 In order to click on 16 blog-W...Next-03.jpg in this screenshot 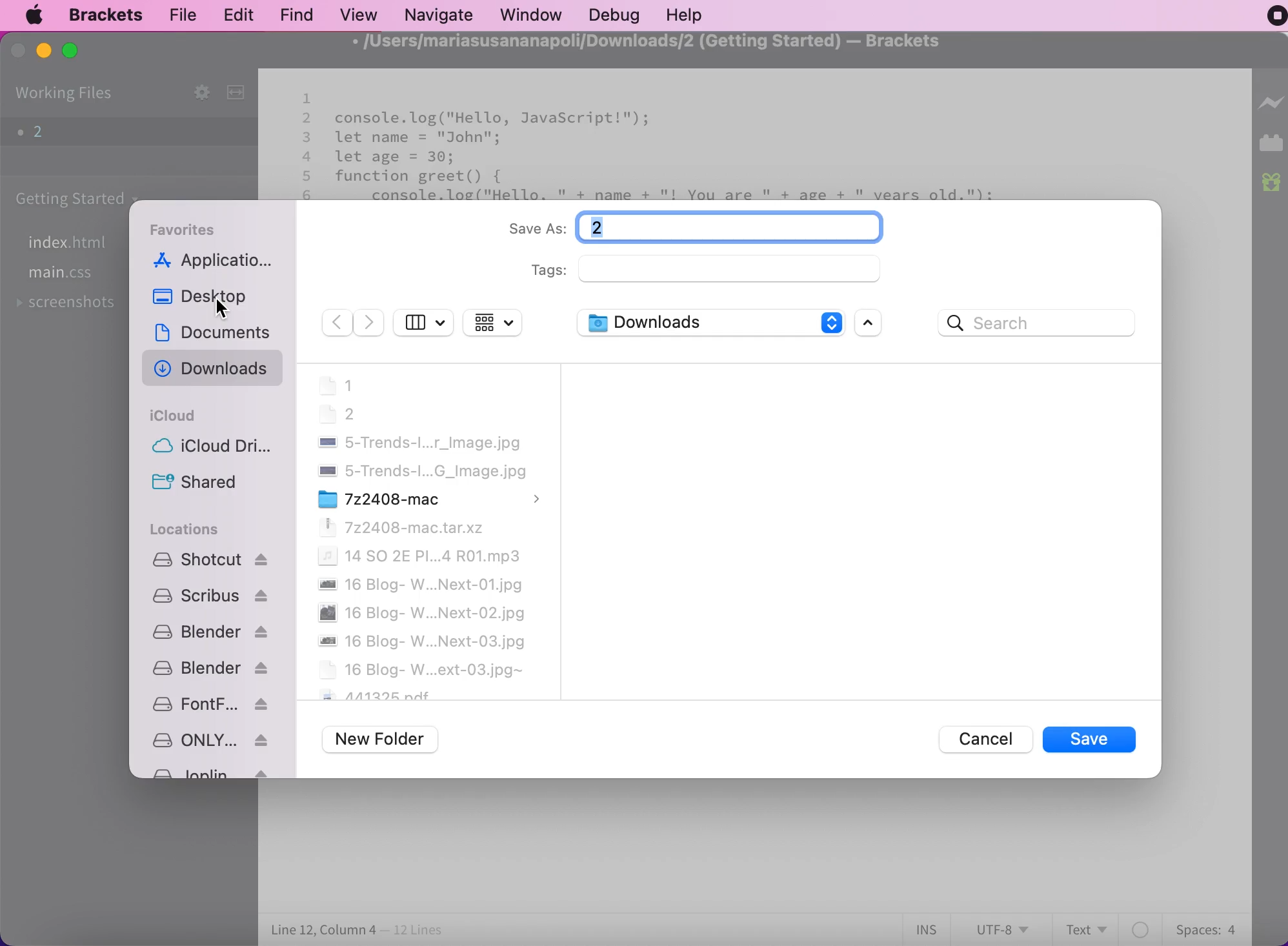, I will do `click(422, 642)`.